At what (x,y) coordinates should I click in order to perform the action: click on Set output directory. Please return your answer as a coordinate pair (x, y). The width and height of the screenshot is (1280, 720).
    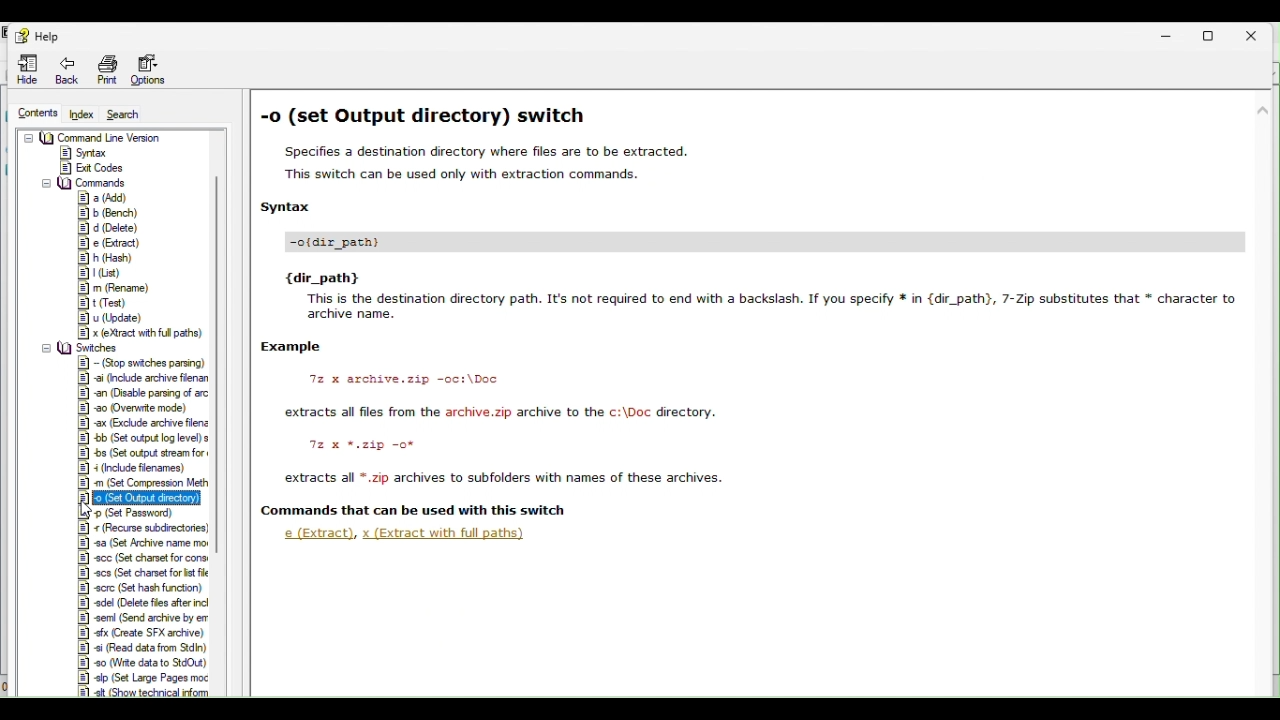
    Looking at the image, I should click on (138, 497).